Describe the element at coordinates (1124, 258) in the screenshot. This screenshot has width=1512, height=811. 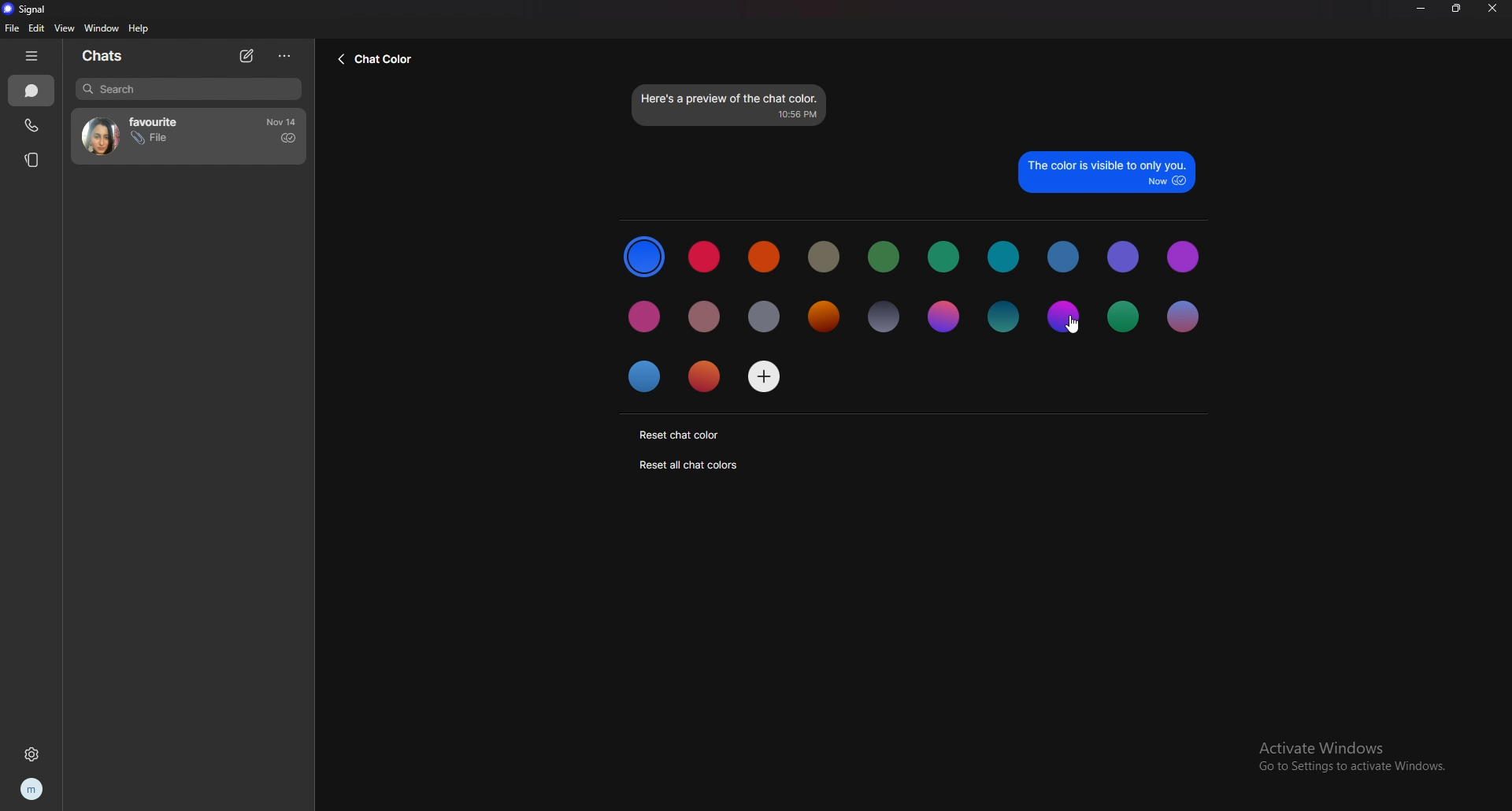
I see `color` at that location.